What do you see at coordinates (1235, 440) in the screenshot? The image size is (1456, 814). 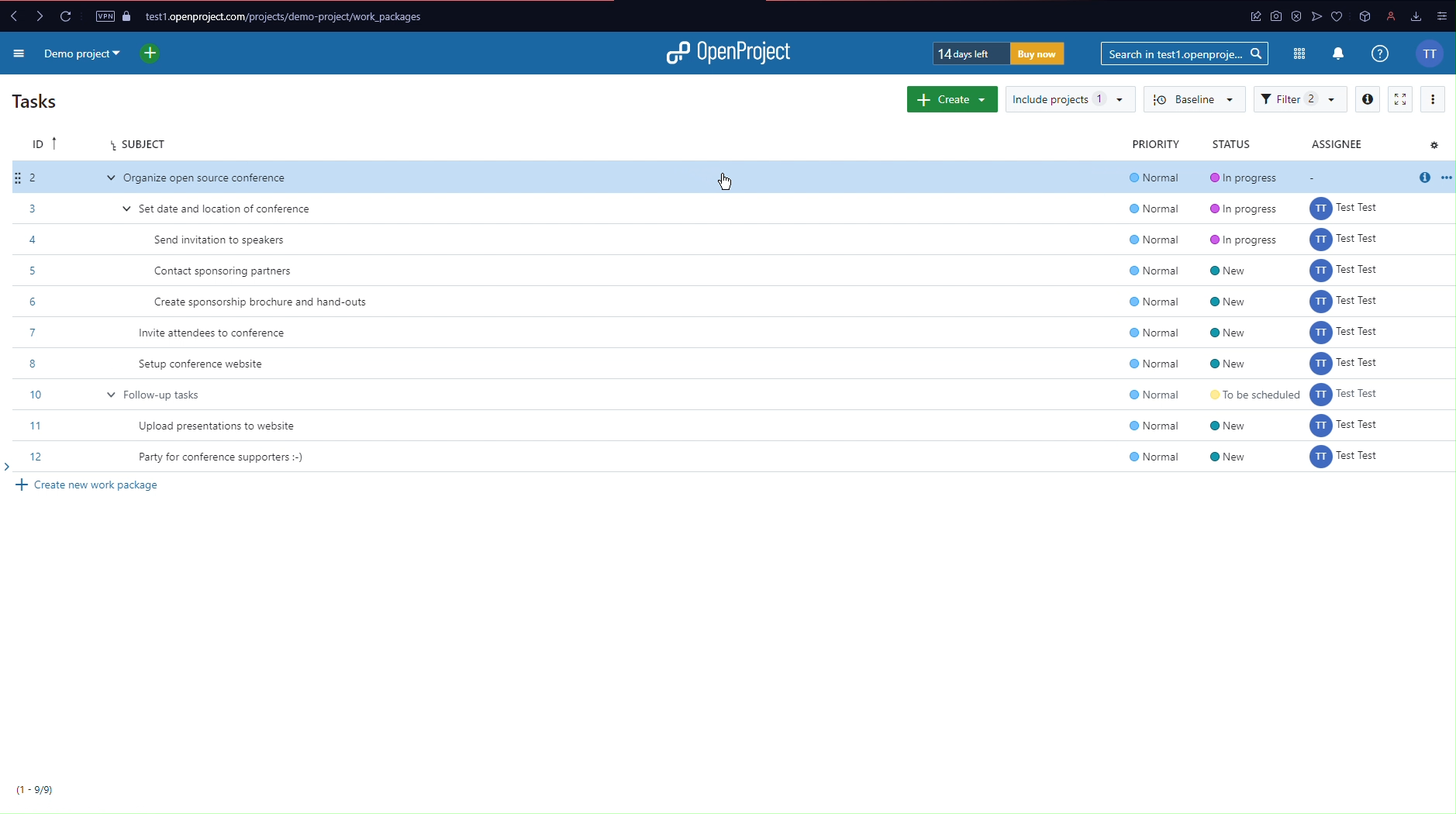 I see `status info: new` at bounding box center [1235, 440].